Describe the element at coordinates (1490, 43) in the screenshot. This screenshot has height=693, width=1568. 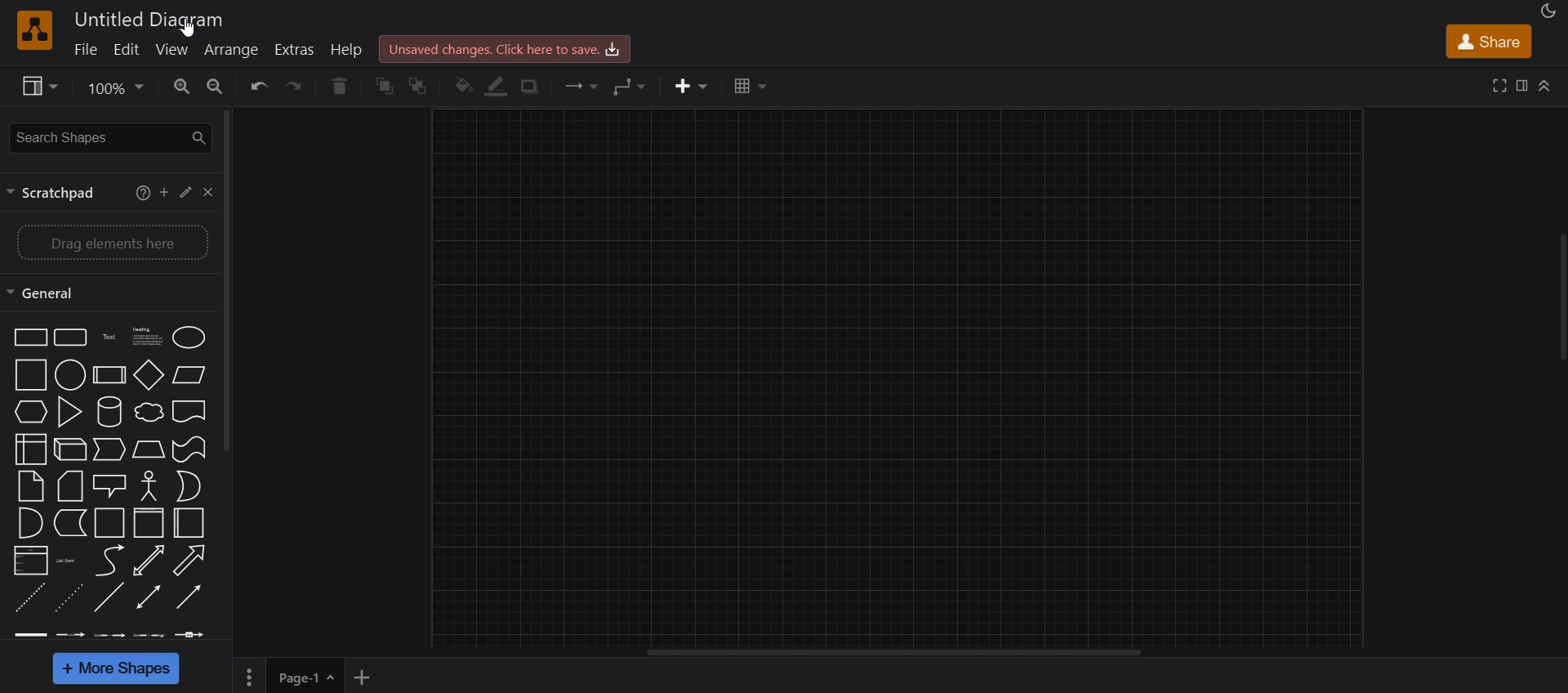
I see `share` at that location.